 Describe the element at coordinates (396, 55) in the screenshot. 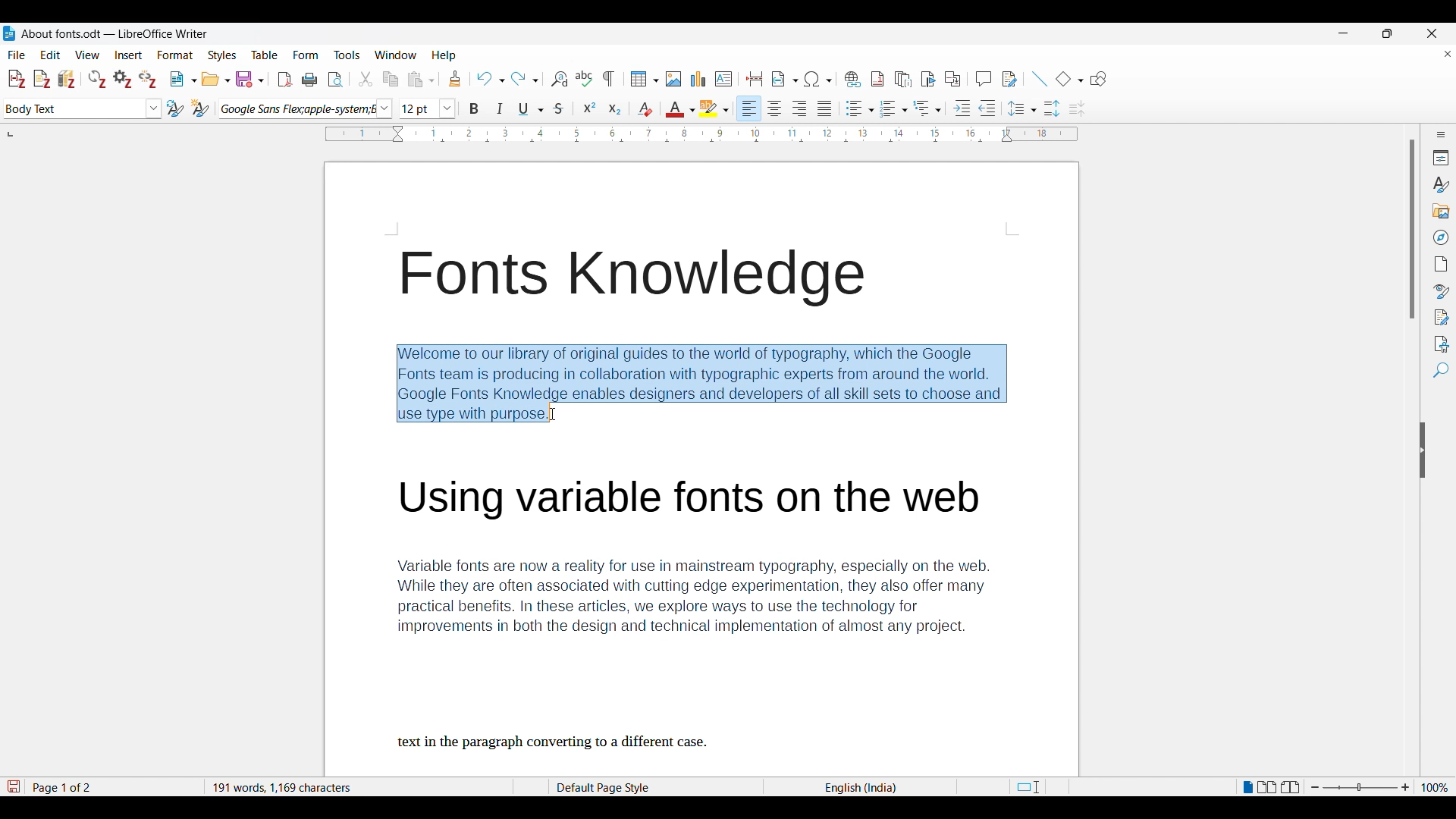

I see `Window menu` at that location.